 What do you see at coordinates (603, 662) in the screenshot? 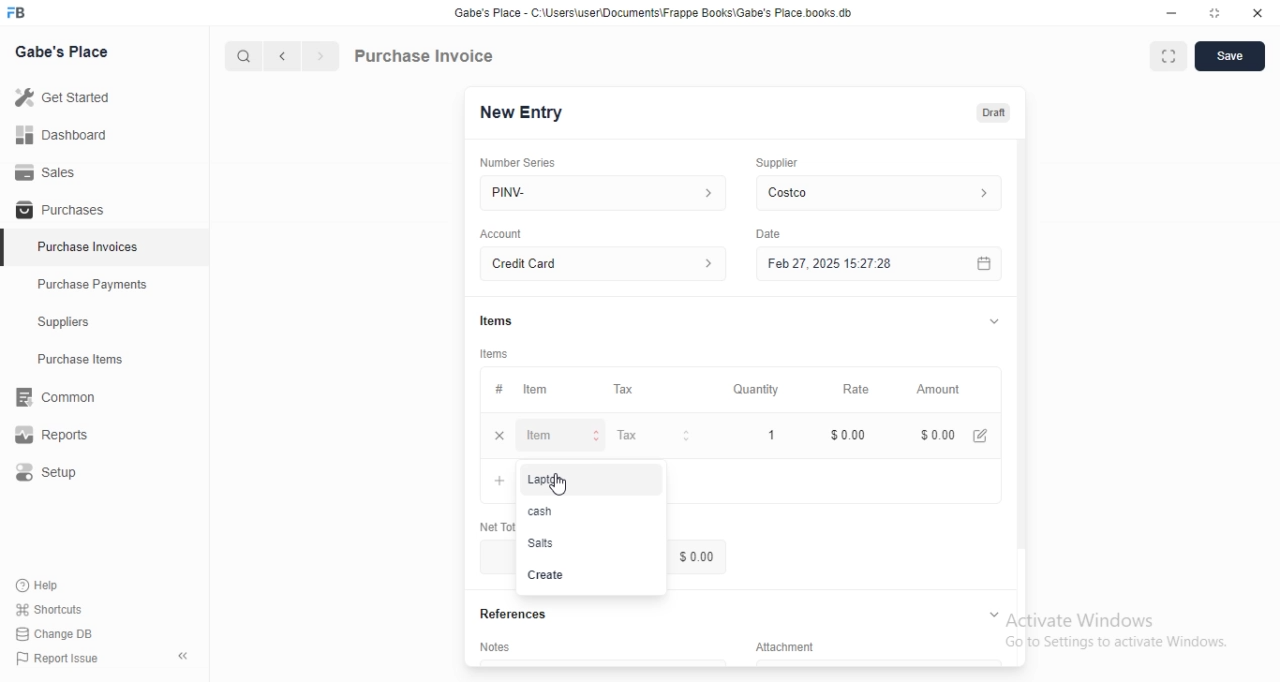
I see `Add invoice terms` at bounding box center [603, 662].